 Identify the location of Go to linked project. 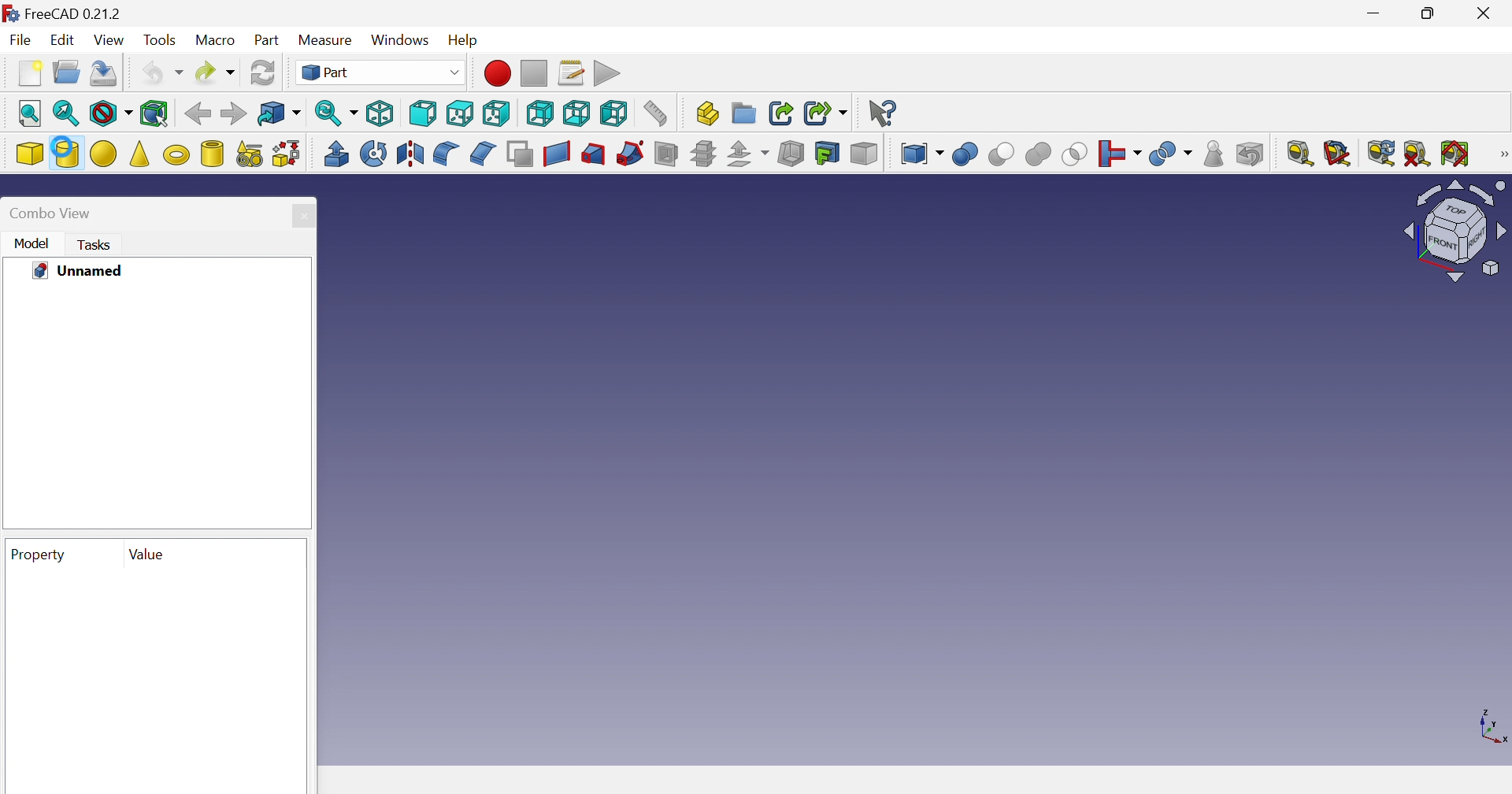
(278, 113).